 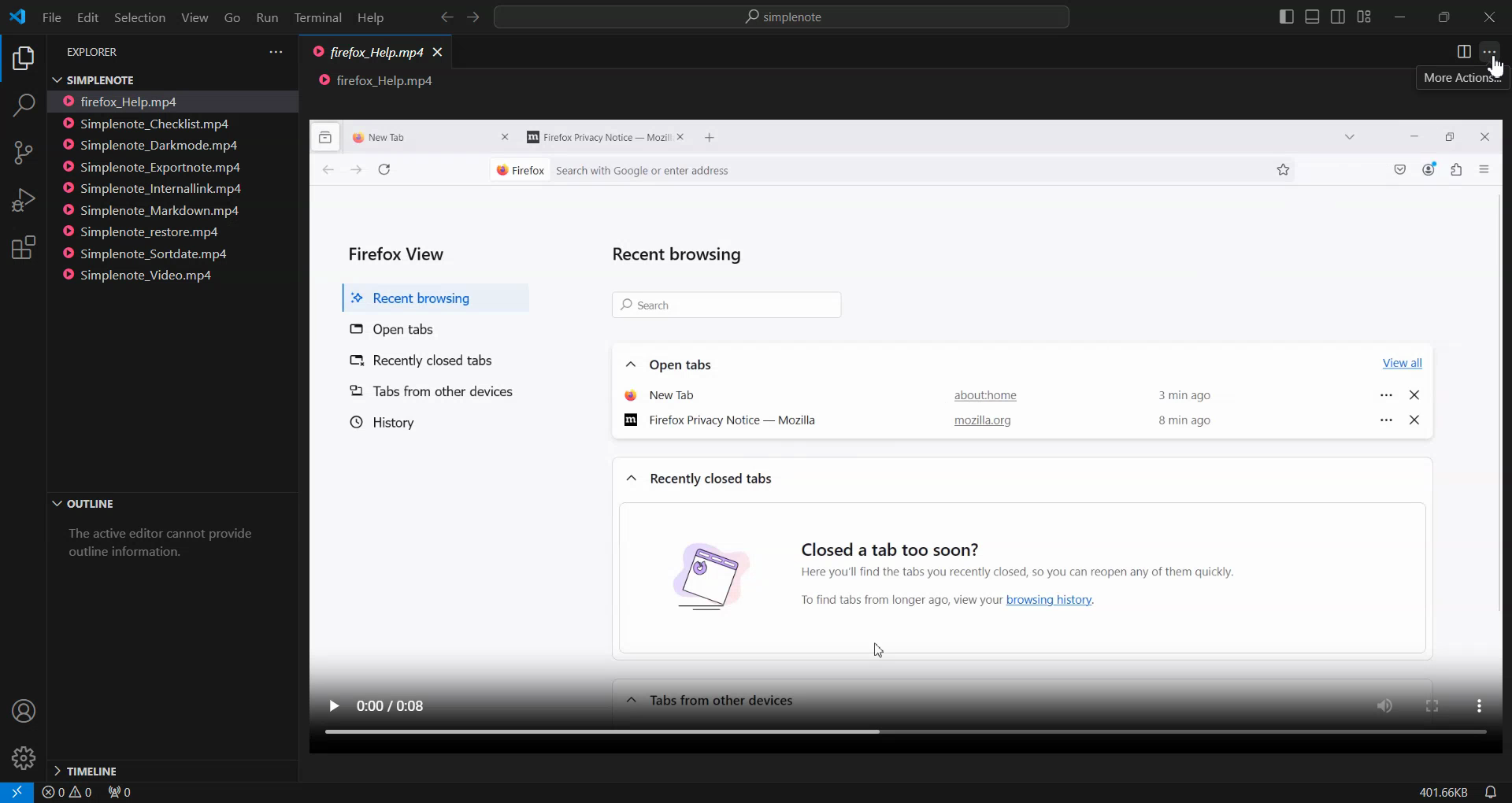 I want to click on firefox_Help.mp4, so click(x=377, y=81).